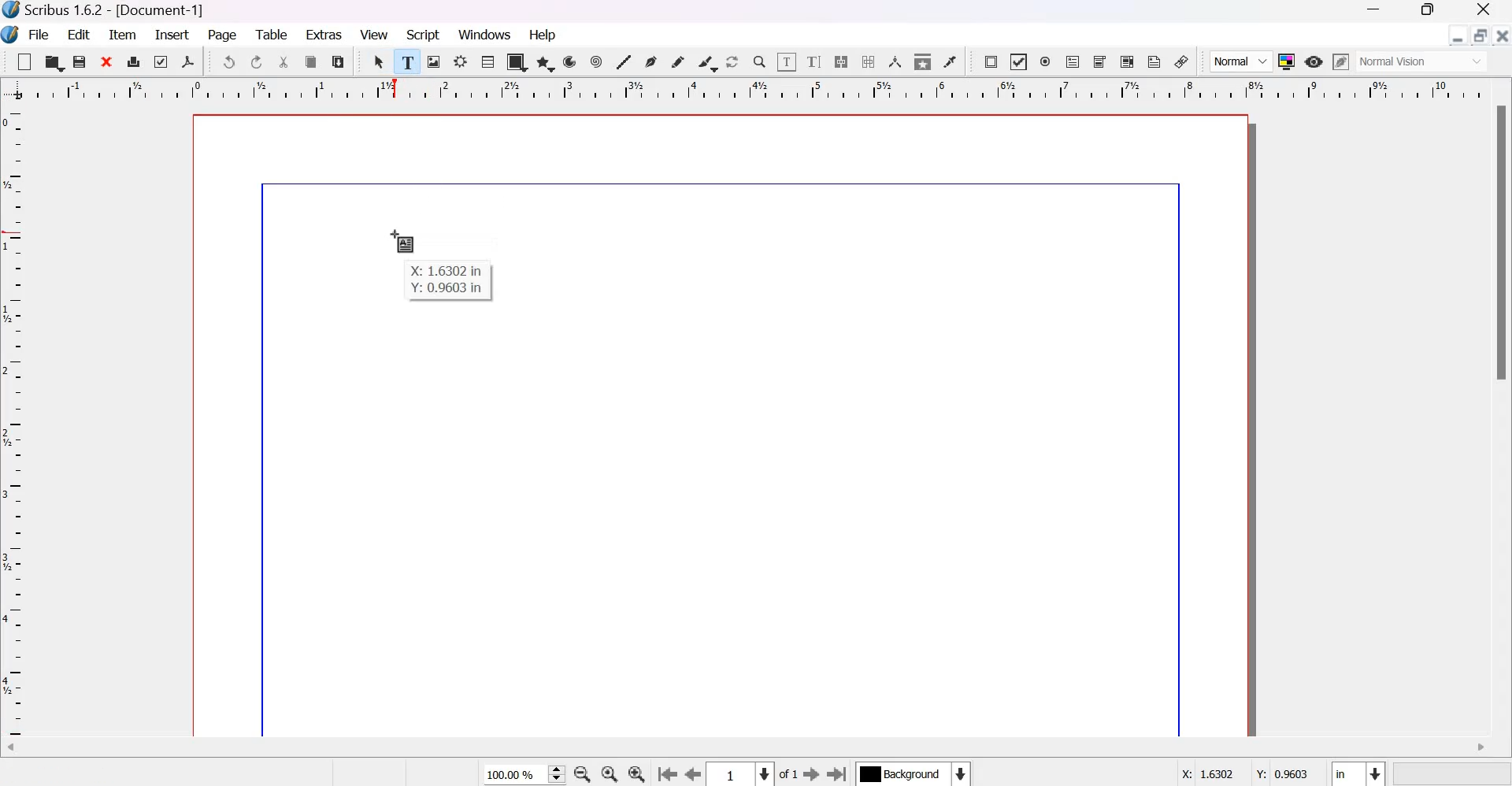  I want to click on line, so click(623, 61).